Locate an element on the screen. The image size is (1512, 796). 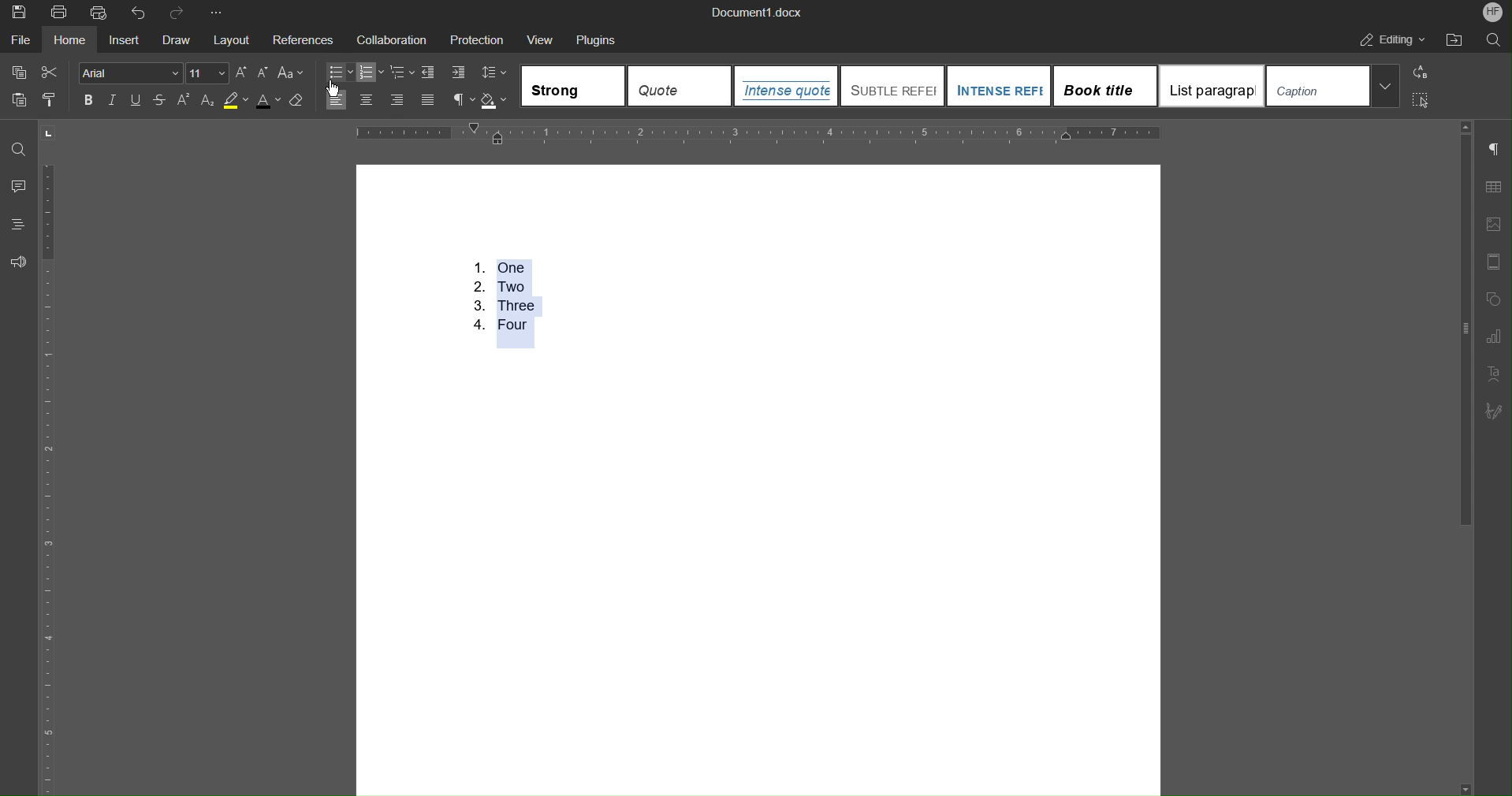
Caption is located at coordinates (1334, 85).